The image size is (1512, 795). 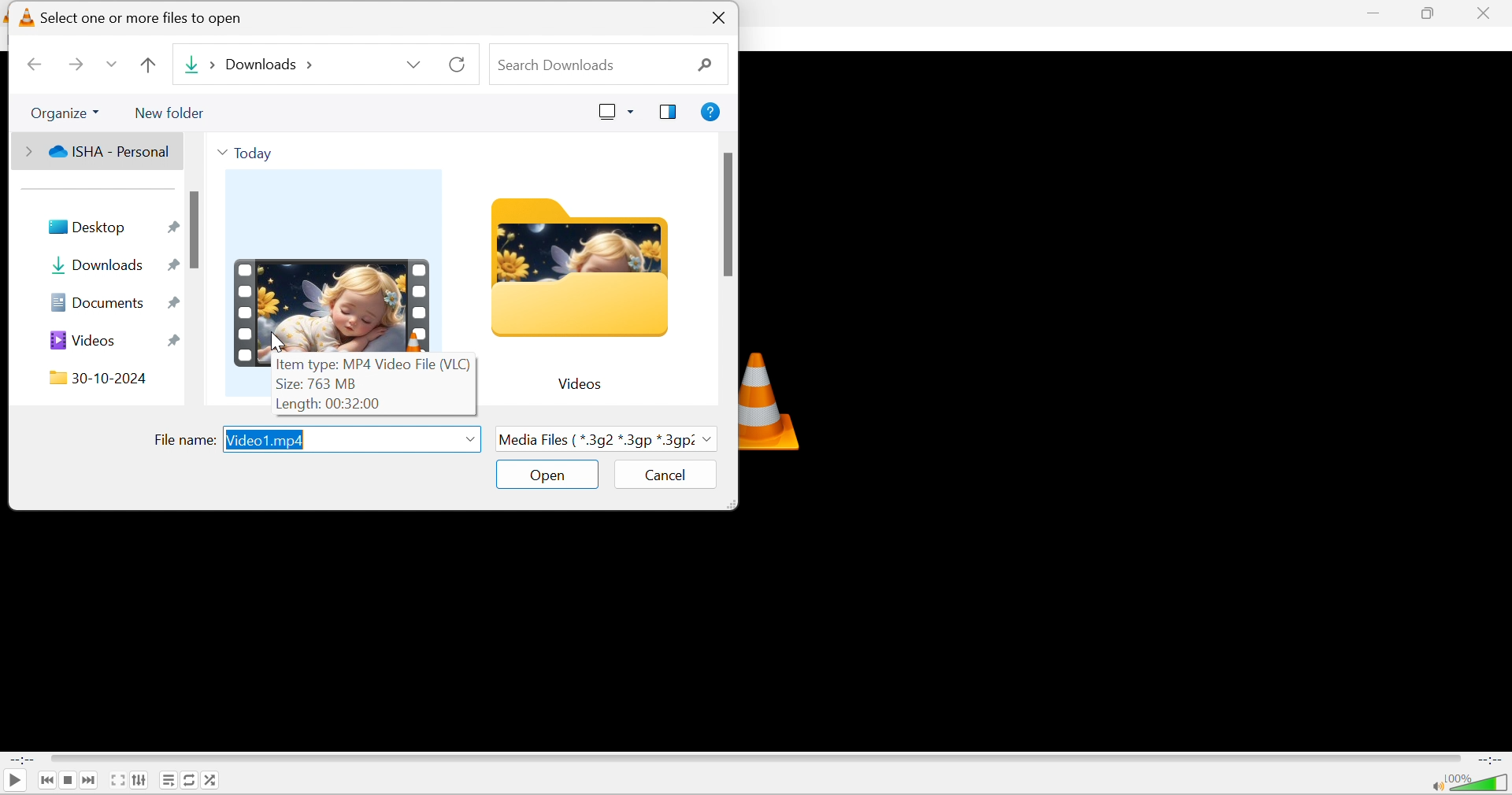 I want to click on Open, so click(x=549, y=474).